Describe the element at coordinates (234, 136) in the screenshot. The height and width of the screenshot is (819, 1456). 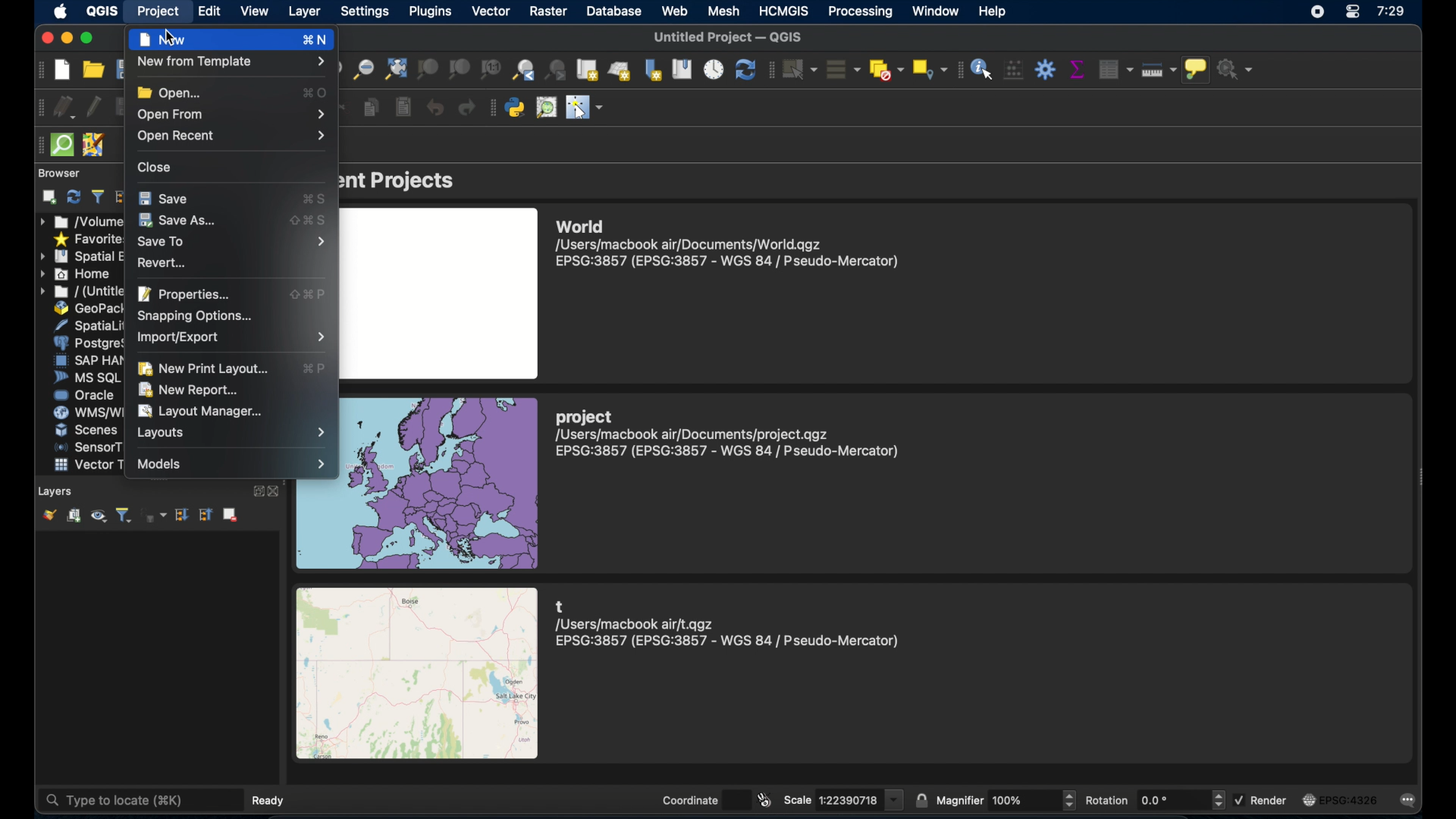
I see `open recent` at that location.